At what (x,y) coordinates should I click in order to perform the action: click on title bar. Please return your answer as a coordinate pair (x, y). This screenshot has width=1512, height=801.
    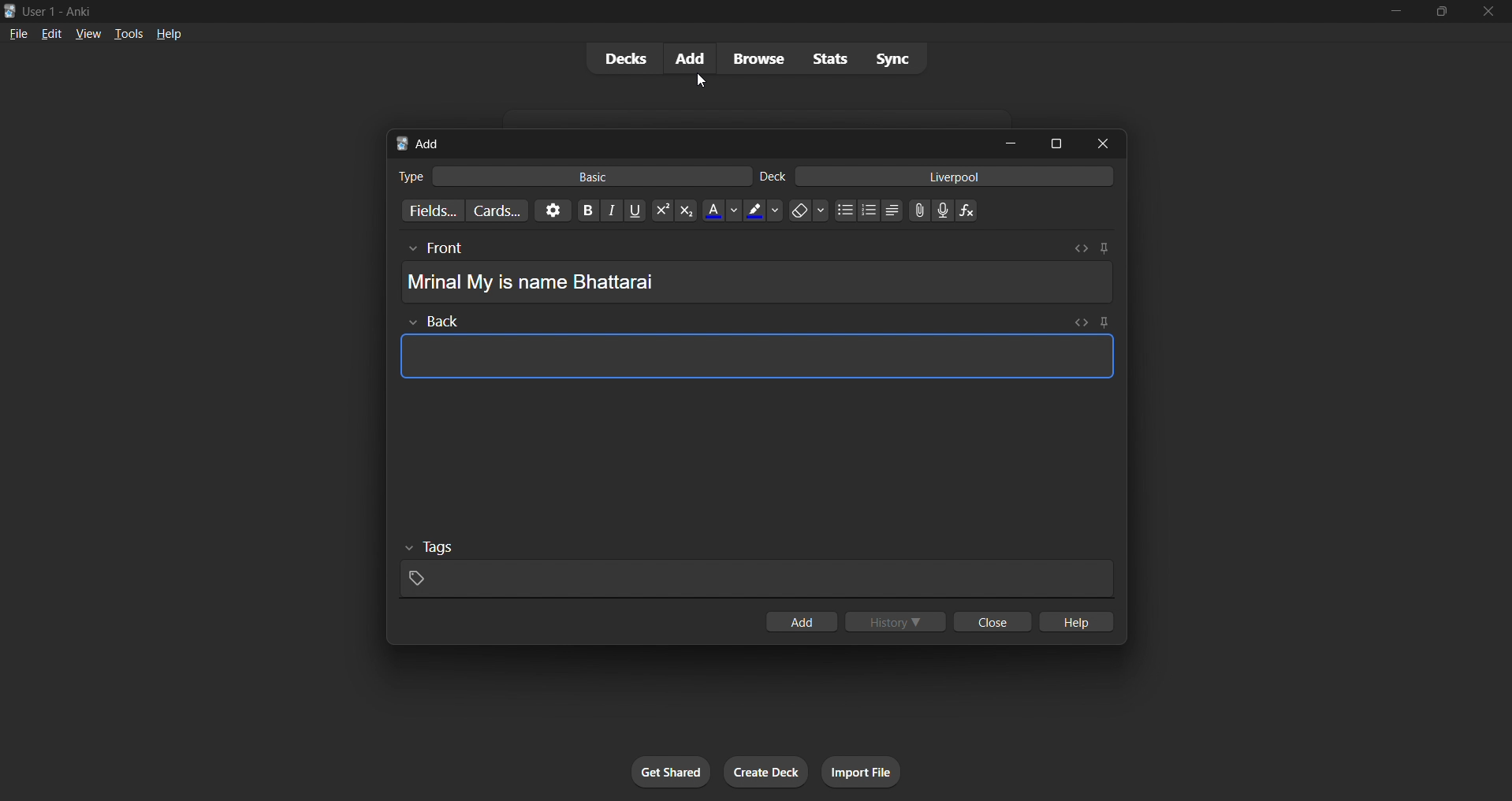
    Looking at the image, I should click on (667, 9).